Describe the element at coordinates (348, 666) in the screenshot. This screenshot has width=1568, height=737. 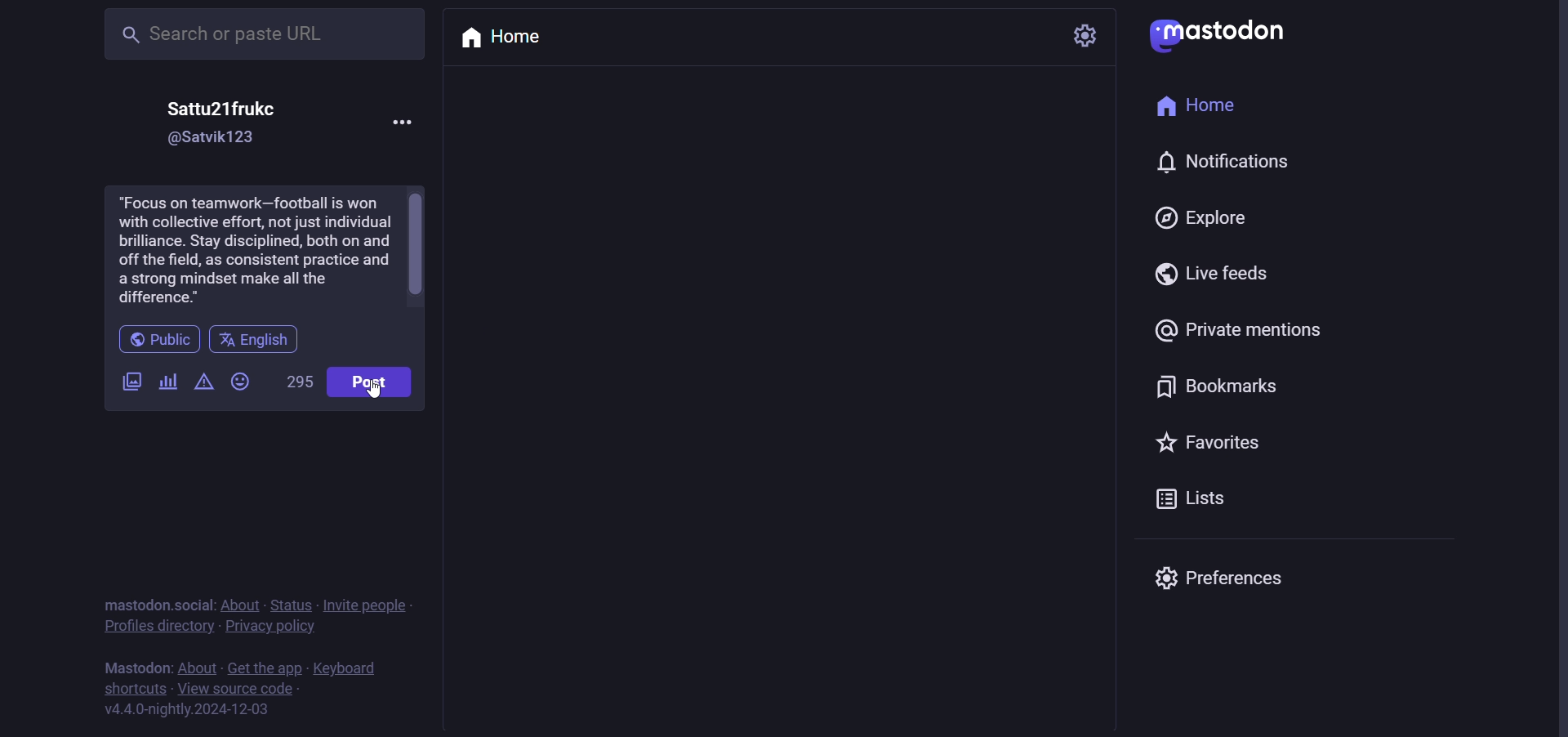
I see `keyboard` at that location.